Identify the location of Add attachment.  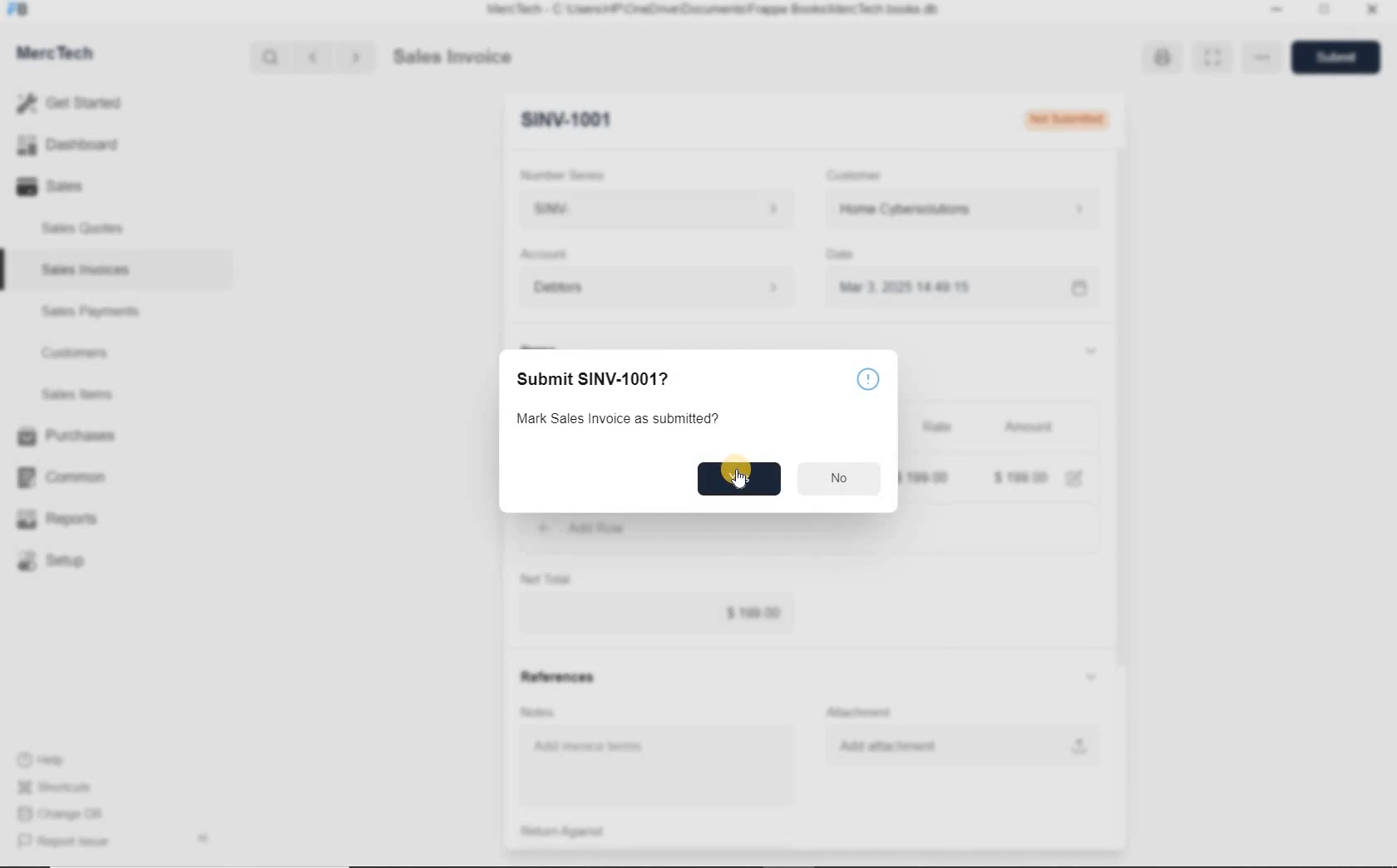
(962, 745).